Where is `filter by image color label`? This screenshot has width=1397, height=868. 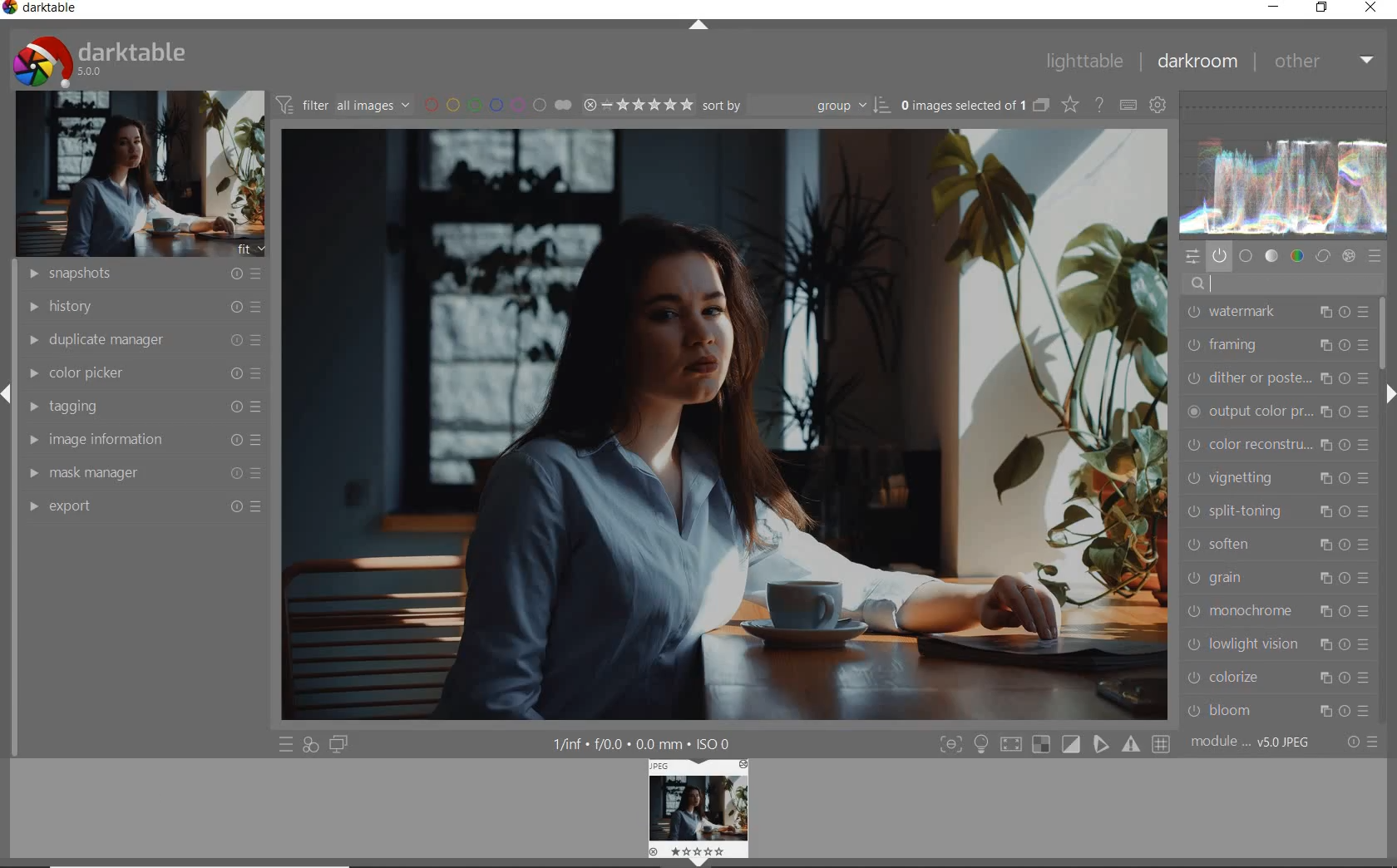 filter by image color label is located at coordinates (496, 103).